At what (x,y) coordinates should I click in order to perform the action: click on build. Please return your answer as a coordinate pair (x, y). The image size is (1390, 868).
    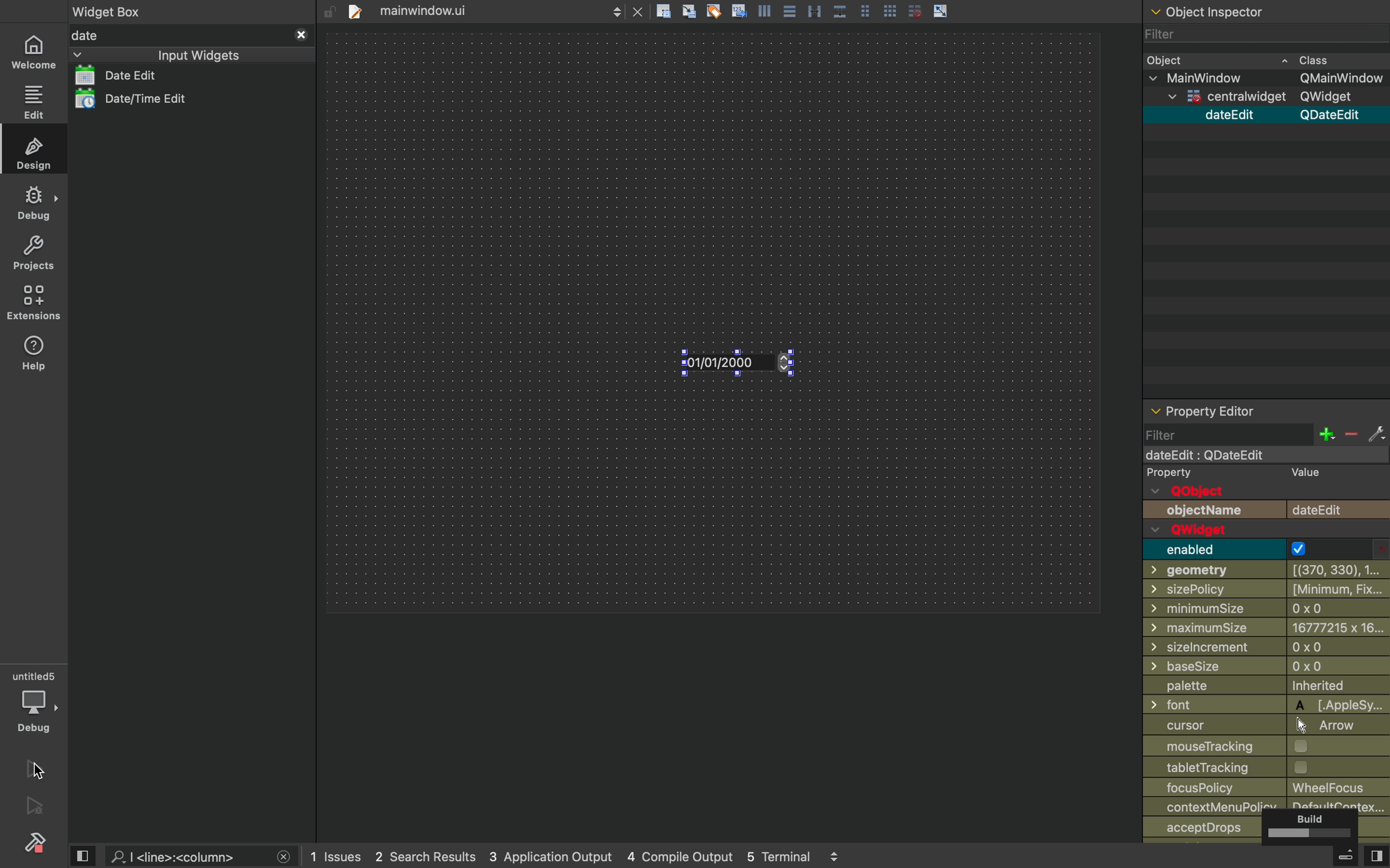
    Looking at the image, I should click on (36, 842).